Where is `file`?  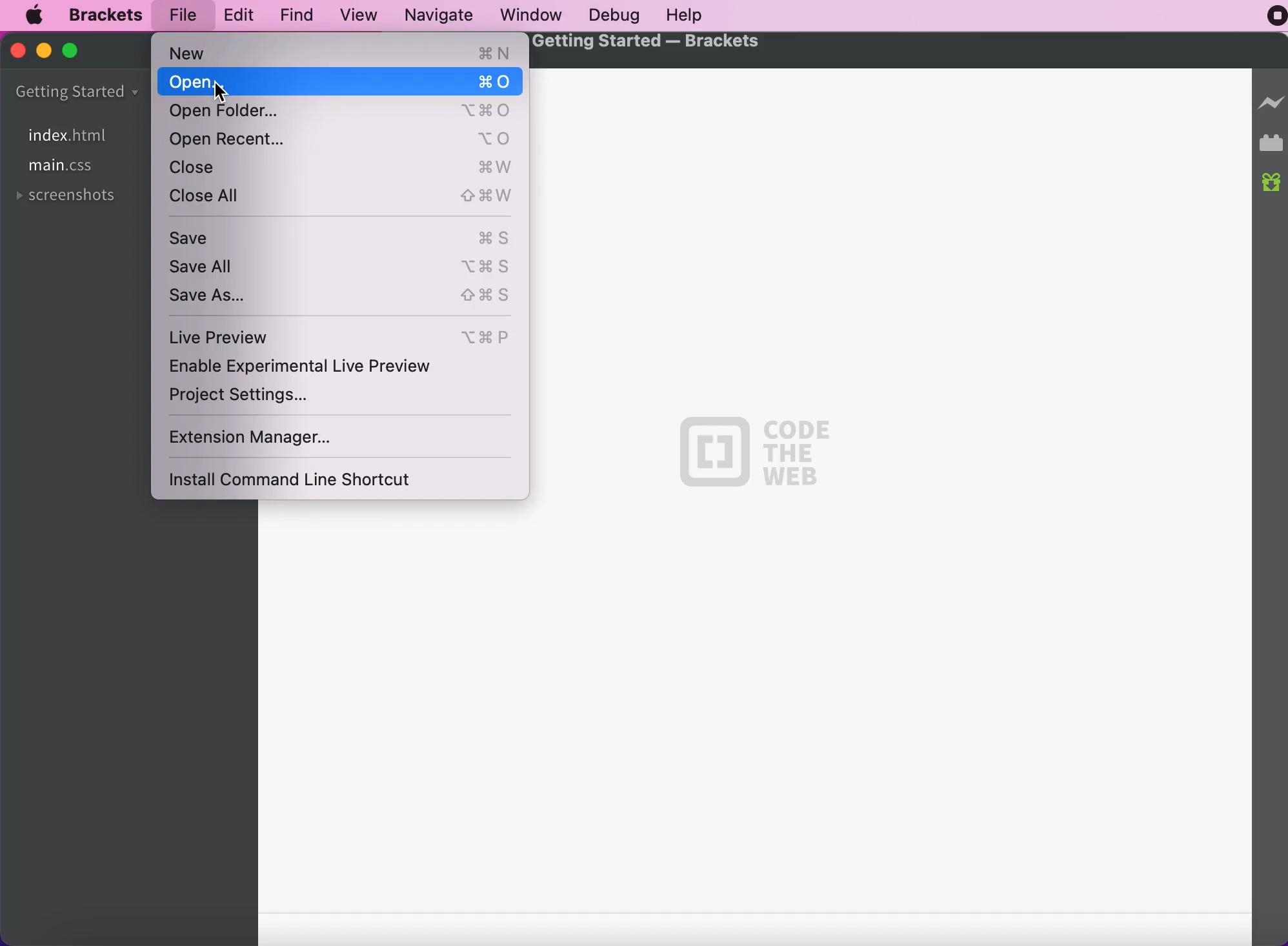
file is located at coordinates (186, 13).